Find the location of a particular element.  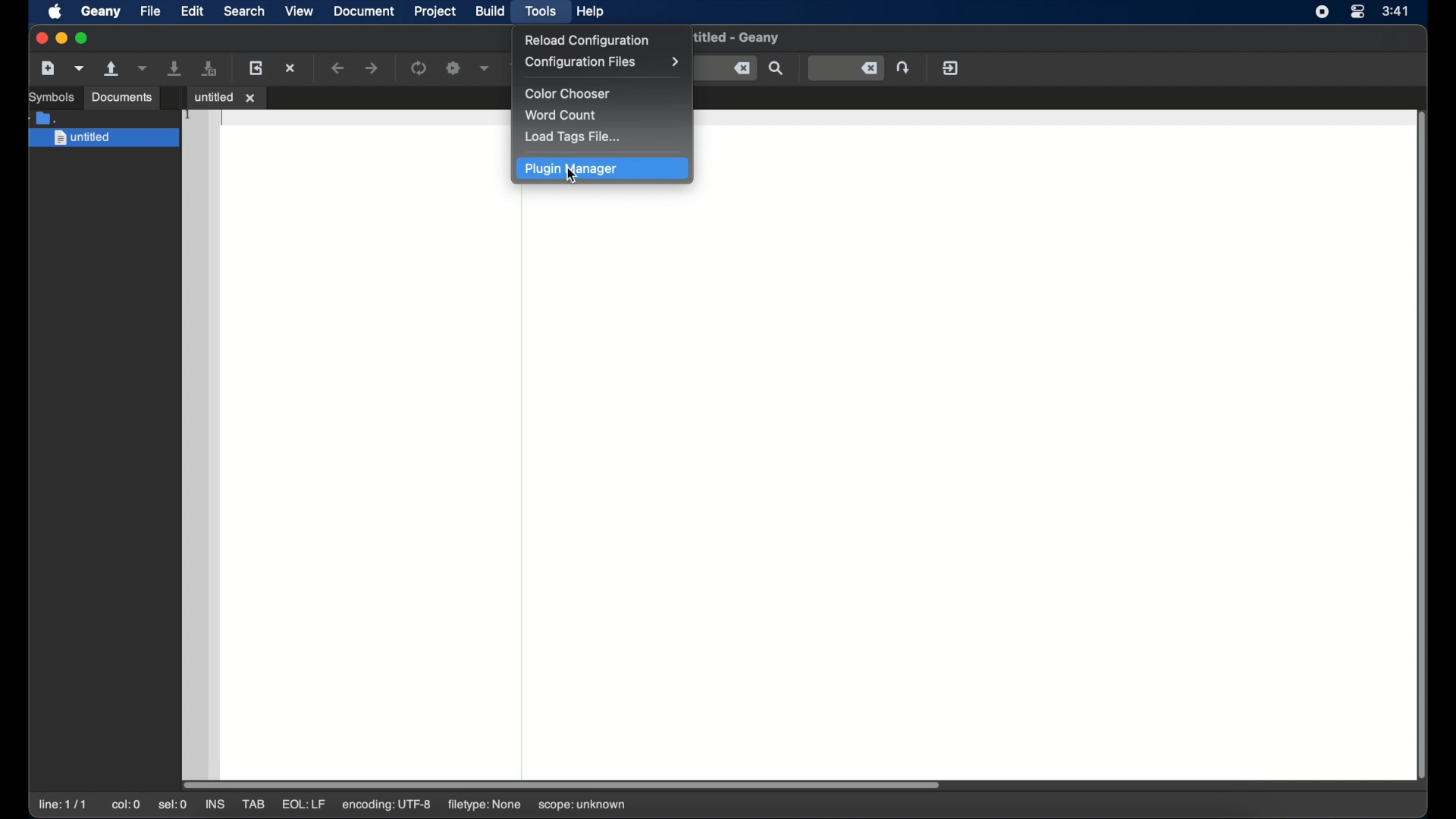

symbols is located at coordinates (50, 97).